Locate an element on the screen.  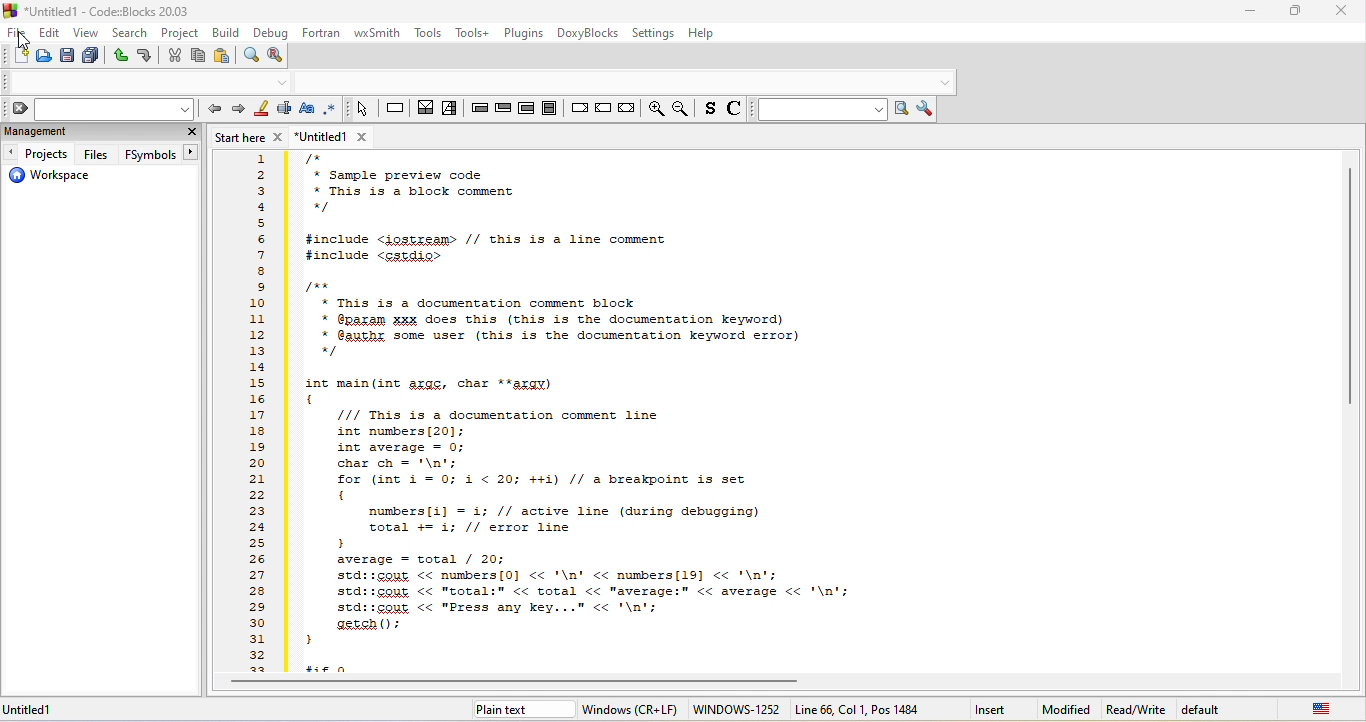
line 66 col 1, pos 1484 is located at coordinates (860, 709).